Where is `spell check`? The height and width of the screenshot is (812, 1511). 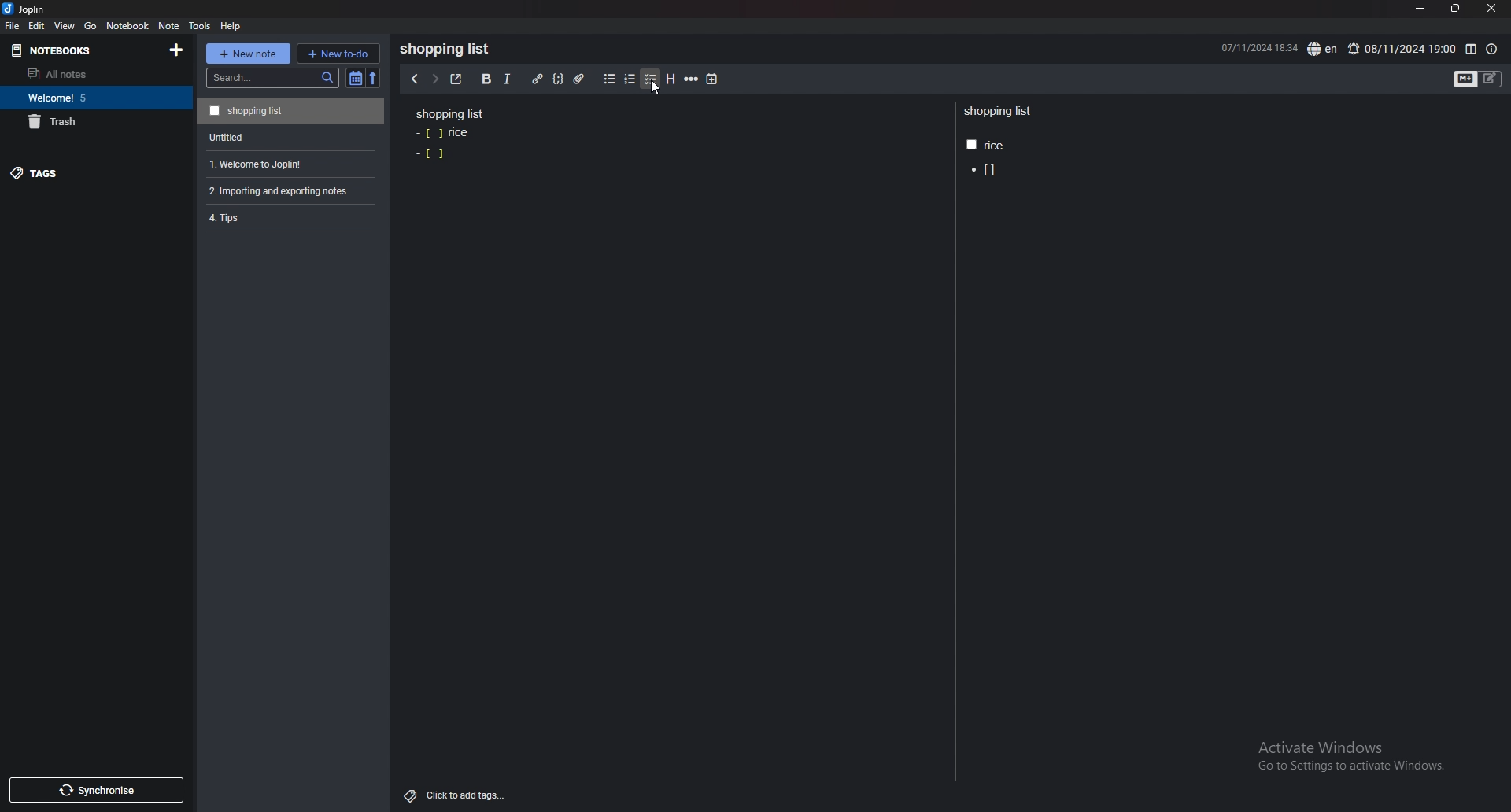 spell check is located at coordinates (1324, 49).